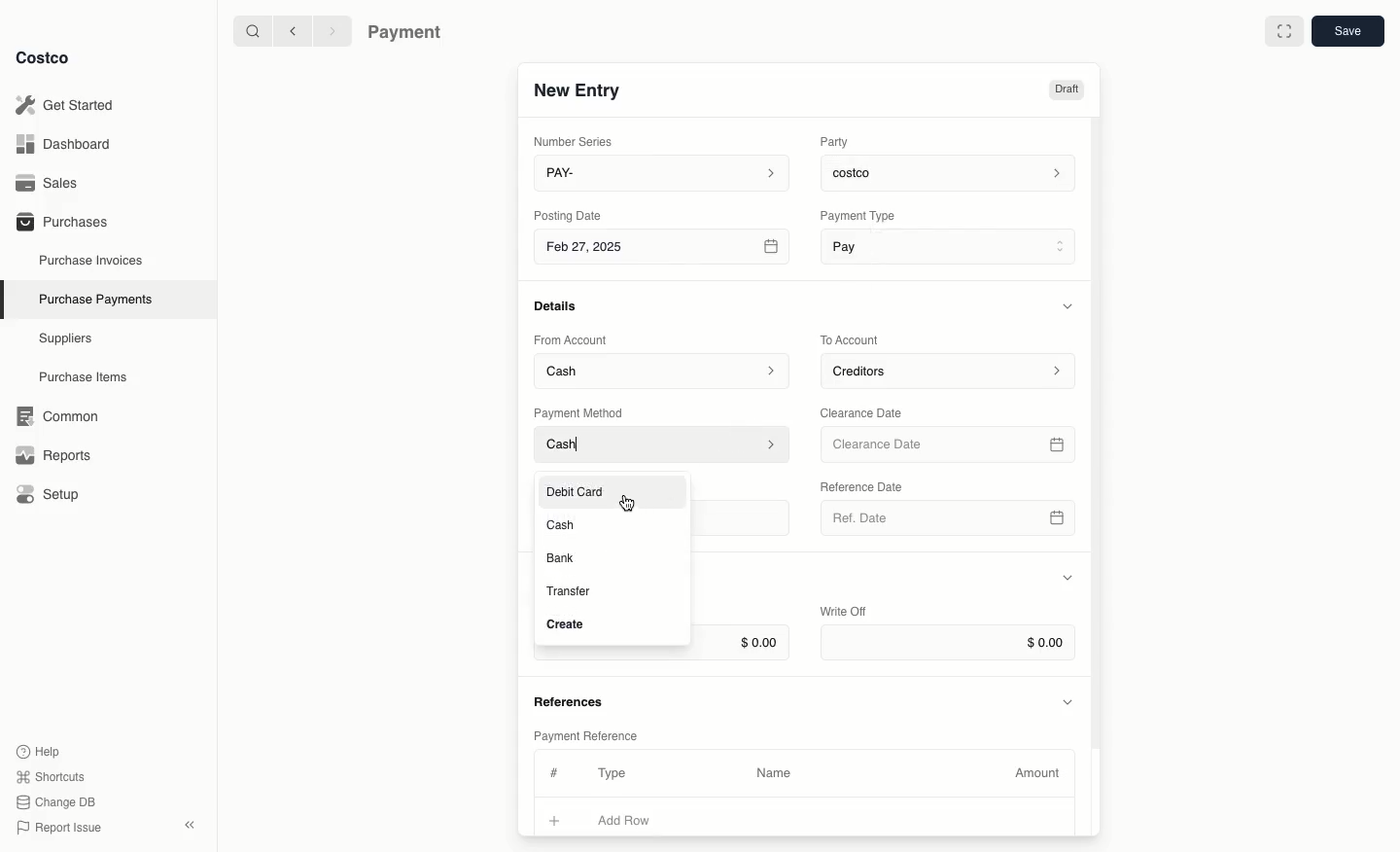  Describe the element at coordinates (951, 370) in the screenshot. I see `Creditors` at that location.